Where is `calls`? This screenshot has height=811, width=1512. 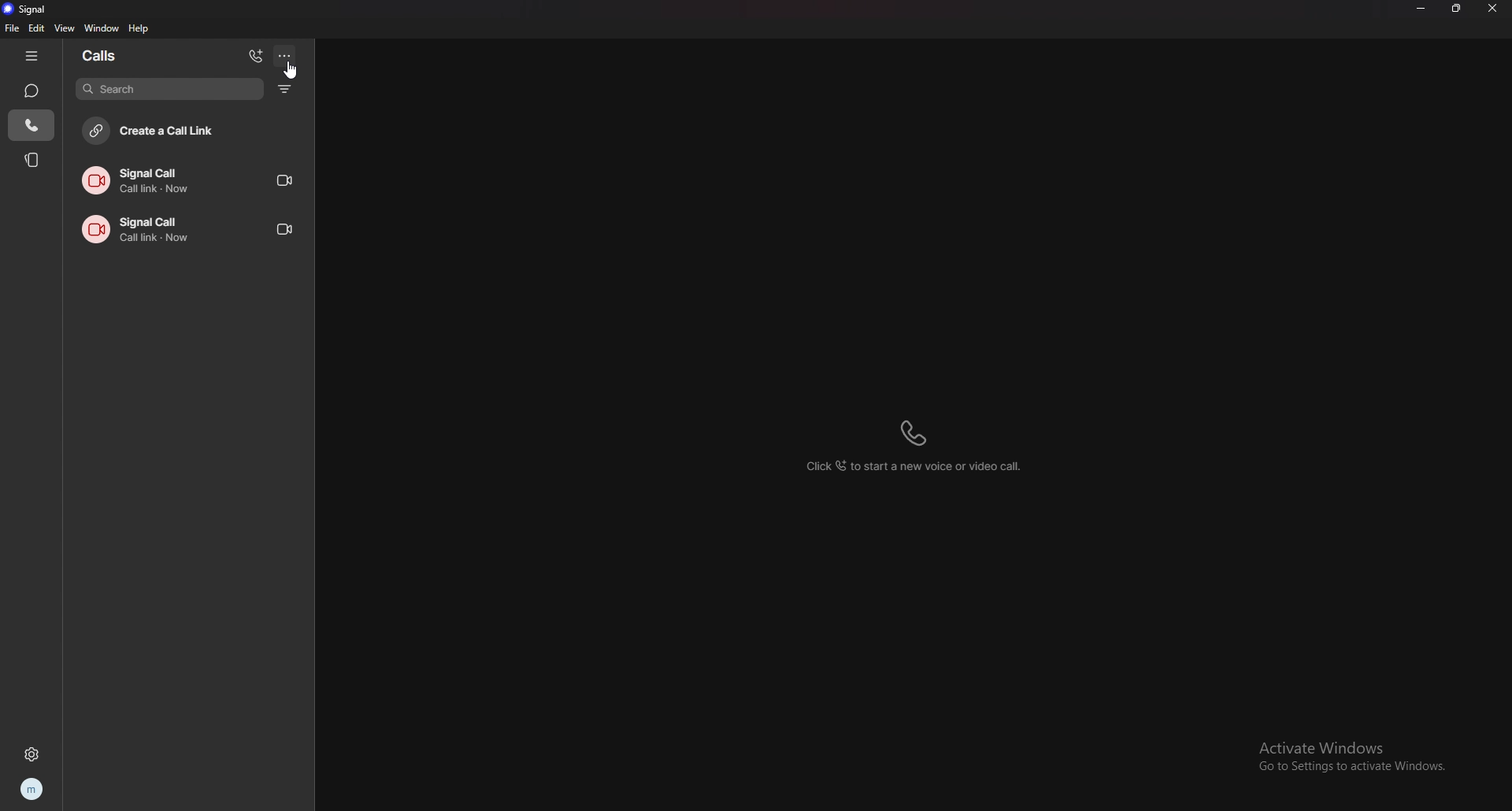
calls is located at coordinates (30, 126).